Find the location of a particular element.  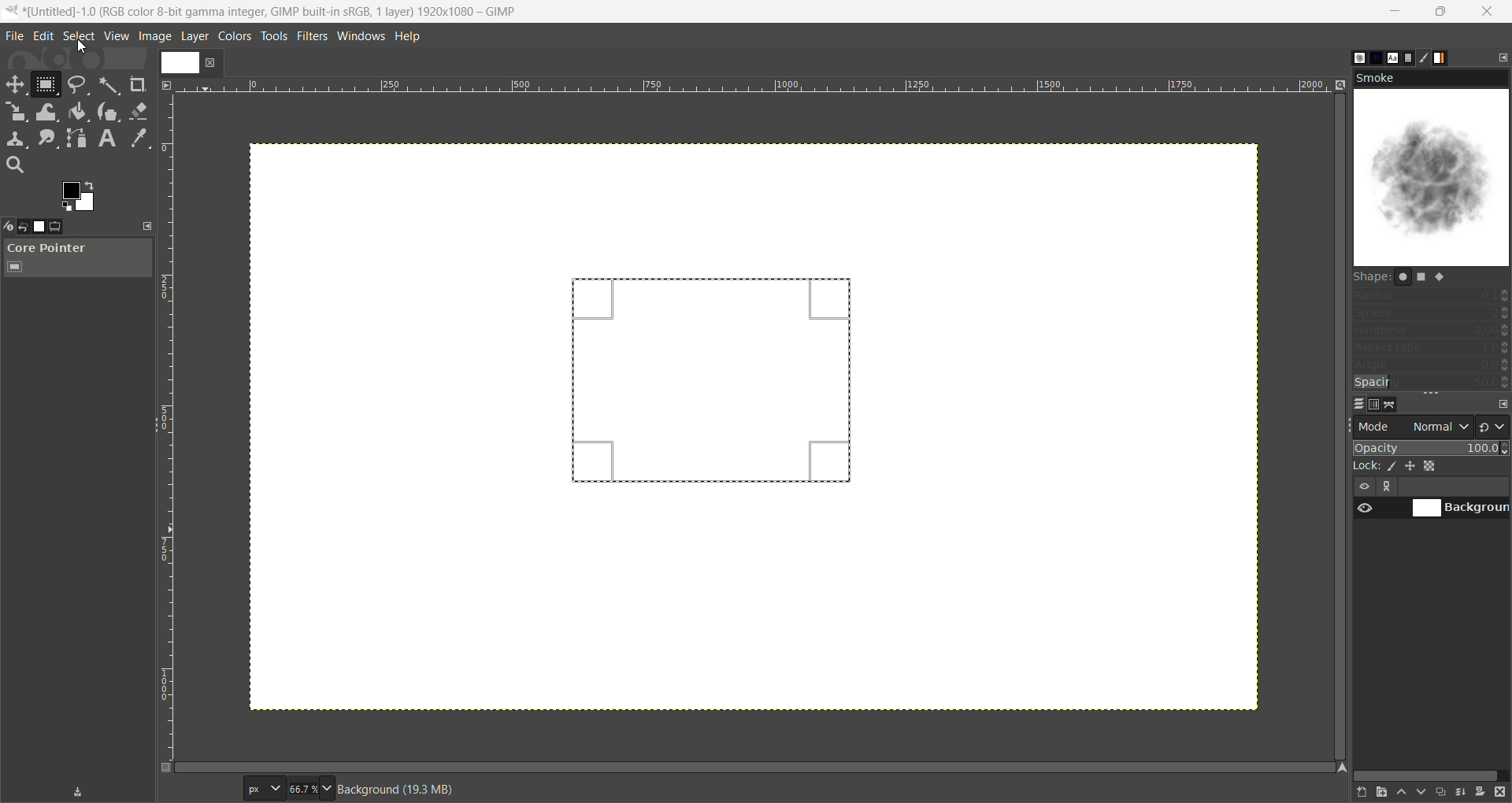

core pointer is located at coordinates (77, 261).